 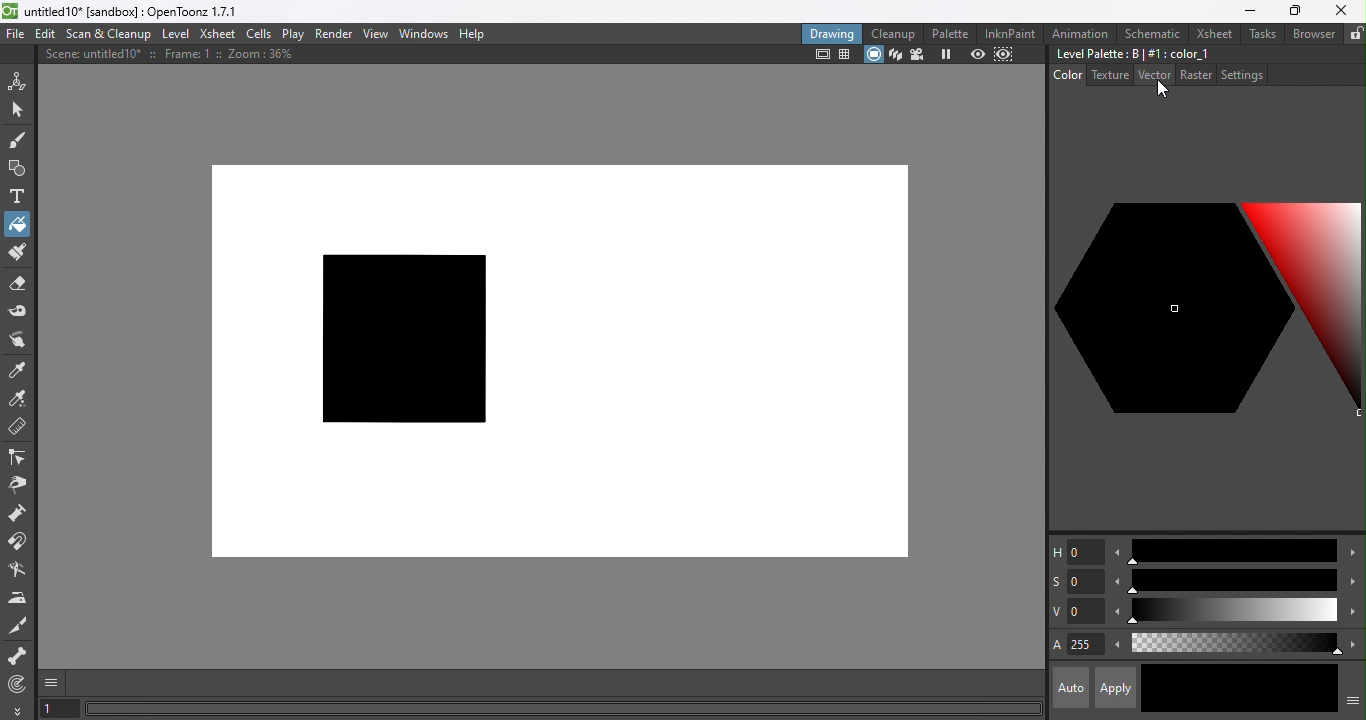 I want to click on A, so click(x=1077, y=646).